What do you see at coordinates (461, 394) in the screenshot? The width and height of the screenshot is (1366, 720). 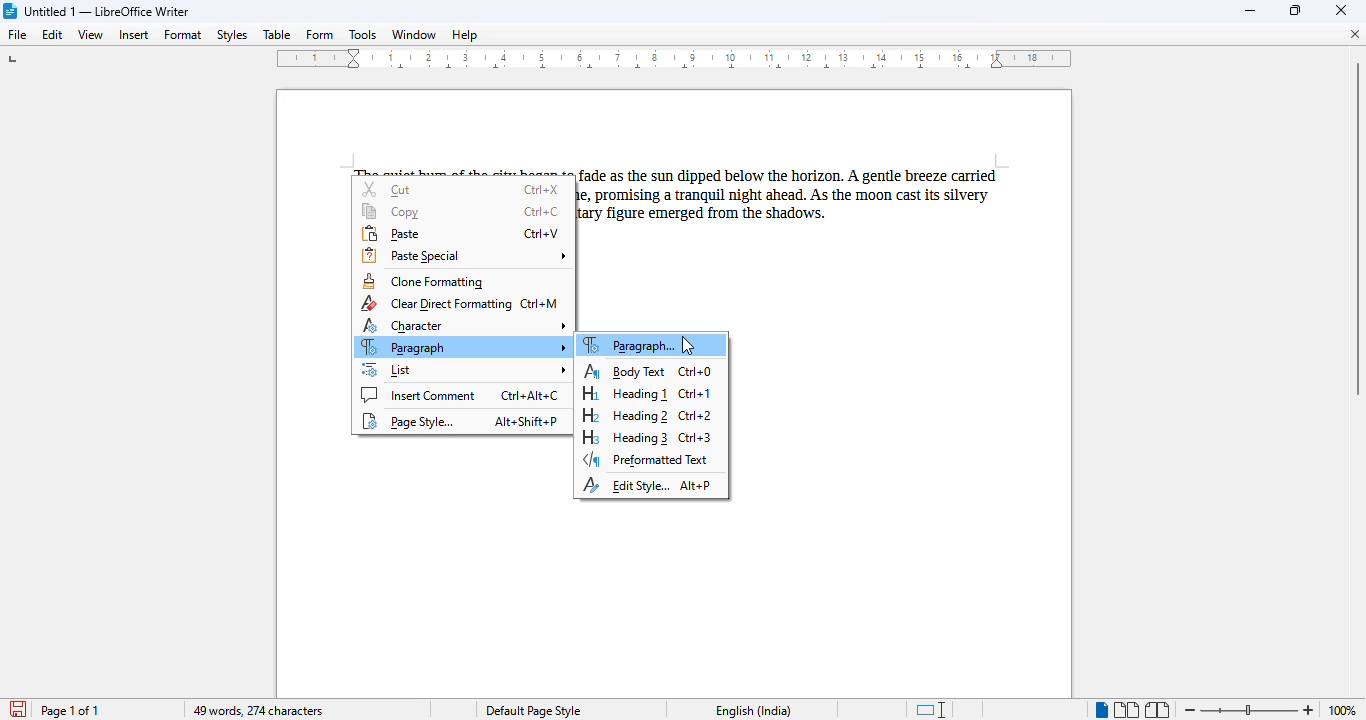 I see `insert comment` at bounding box center [461, 394].